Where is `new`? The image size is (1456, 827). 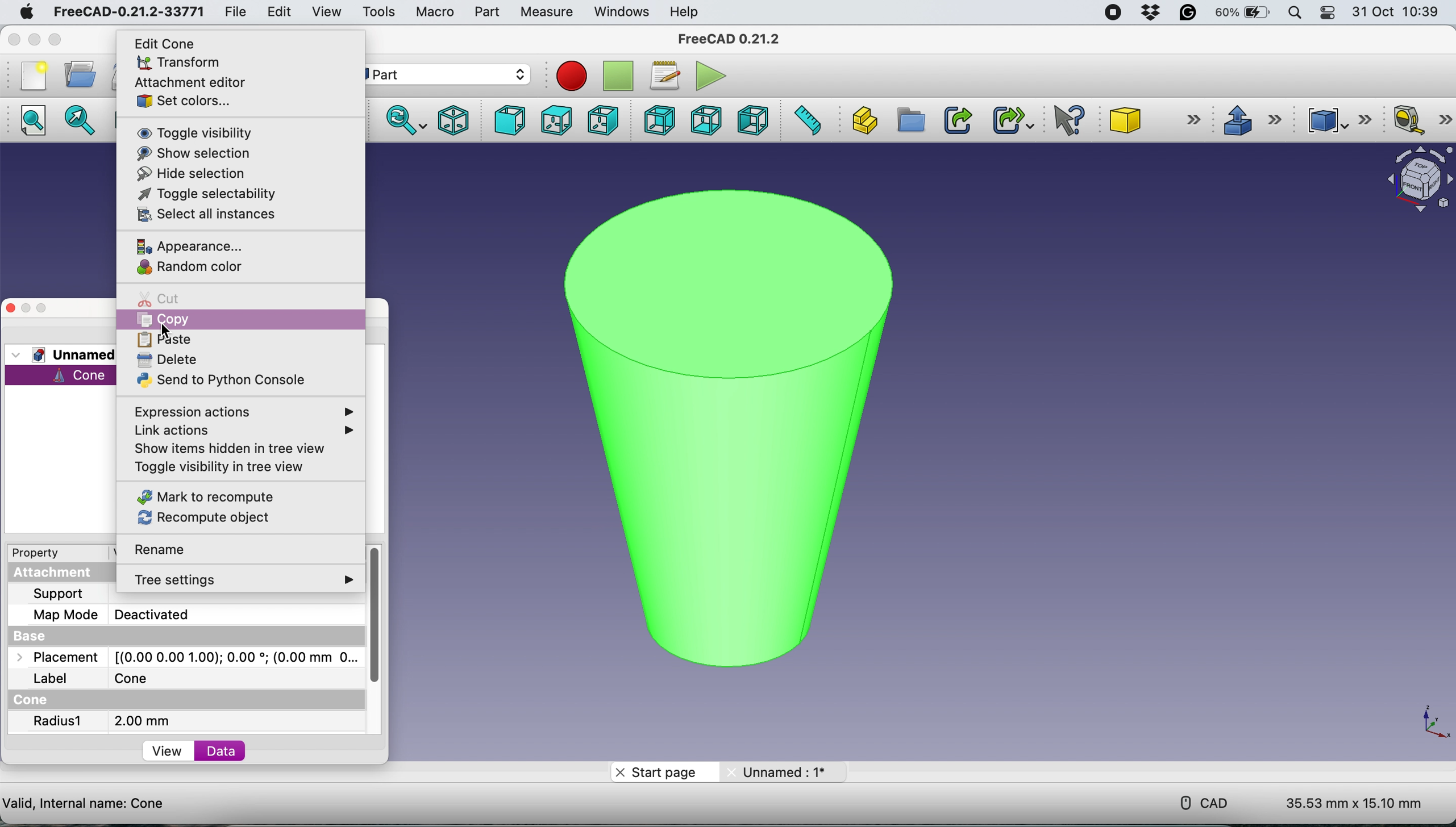 new is located at coordinates (30, 75).